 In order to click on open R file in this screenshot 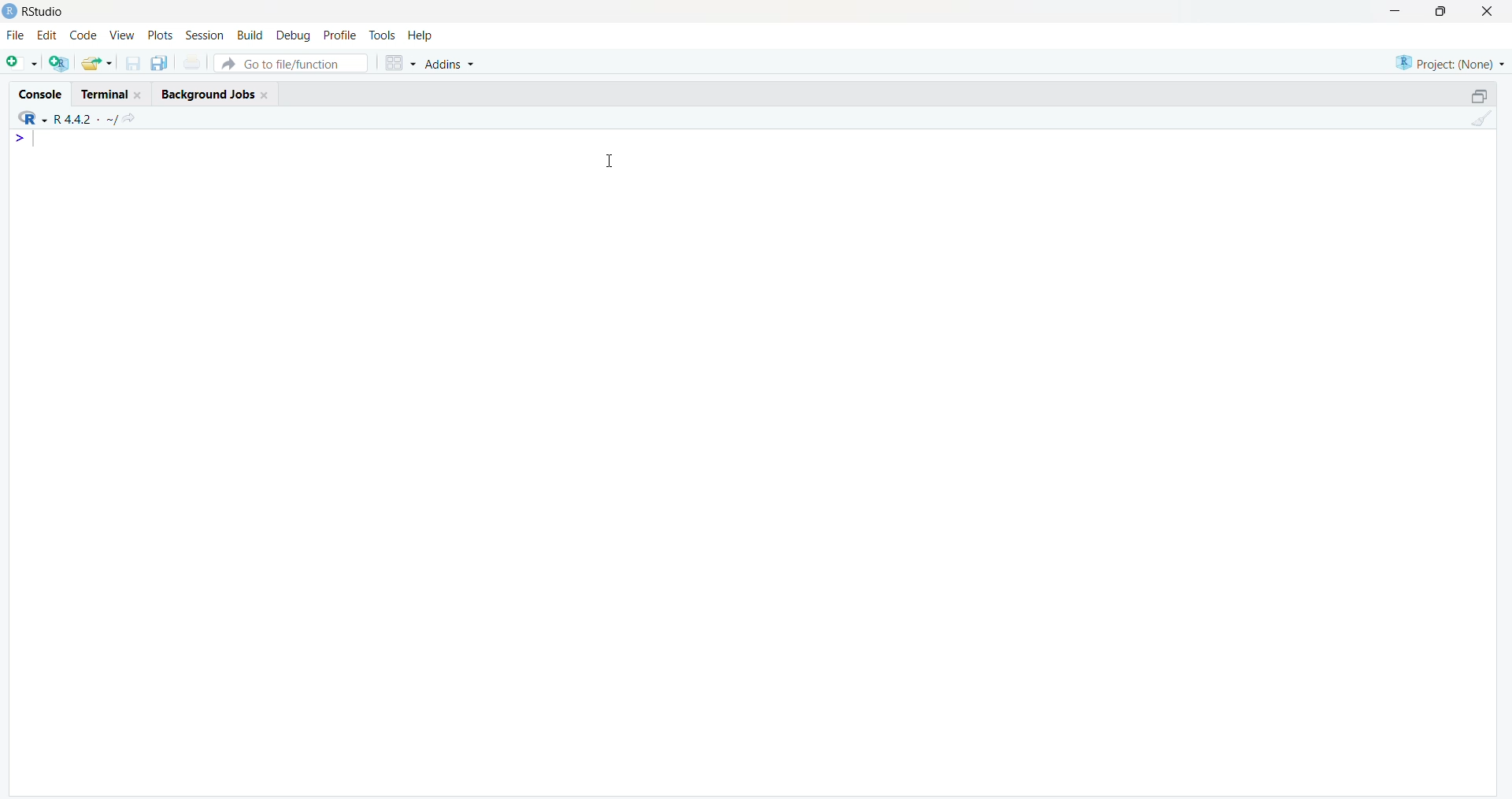, I will do `click(58, 64)`.